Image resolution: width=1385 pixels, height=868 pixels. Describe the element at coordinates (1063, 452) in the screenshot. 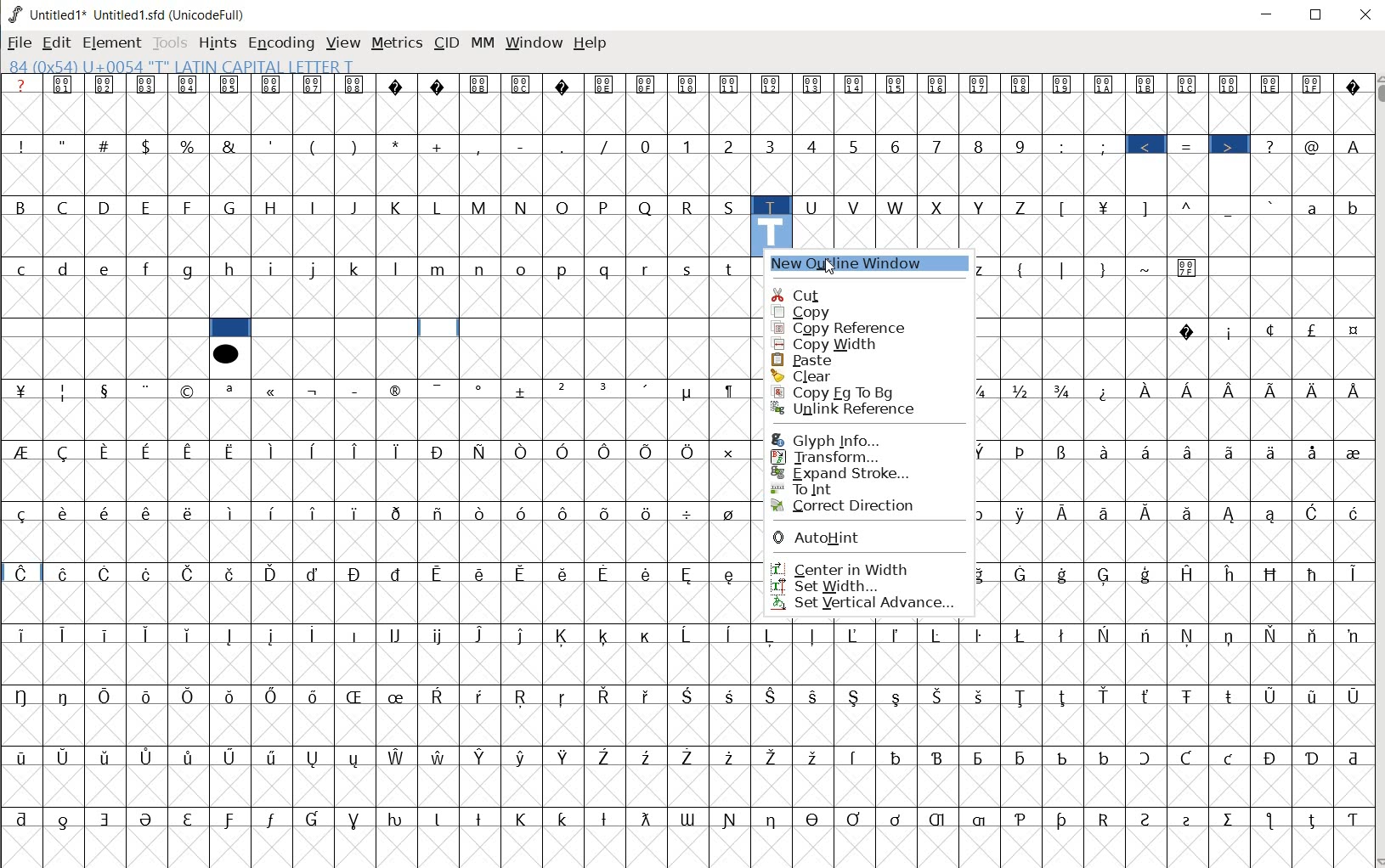

I see `Symbol` at that location.